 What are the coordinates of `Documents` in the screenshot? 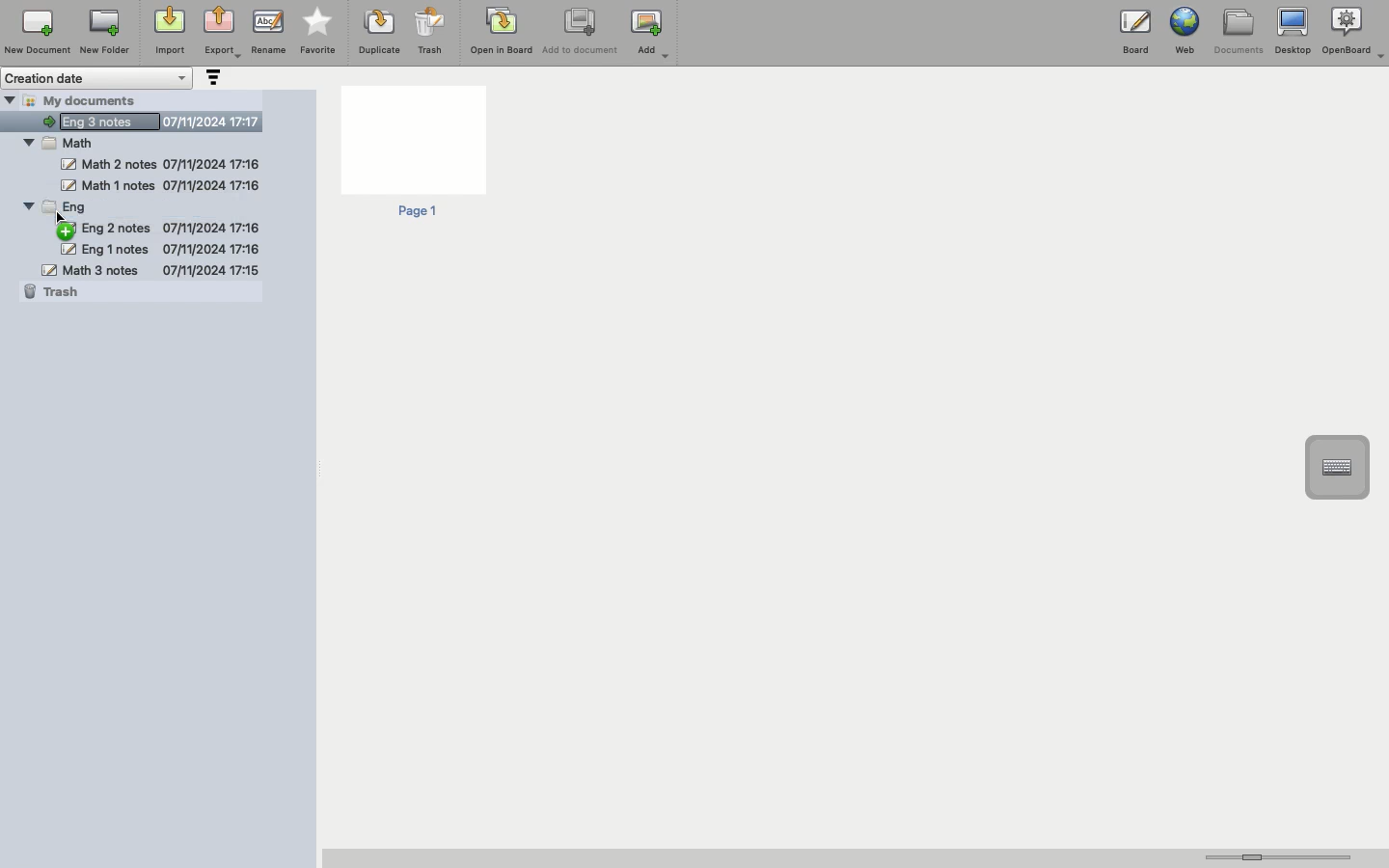 It's located at (1238, 32).